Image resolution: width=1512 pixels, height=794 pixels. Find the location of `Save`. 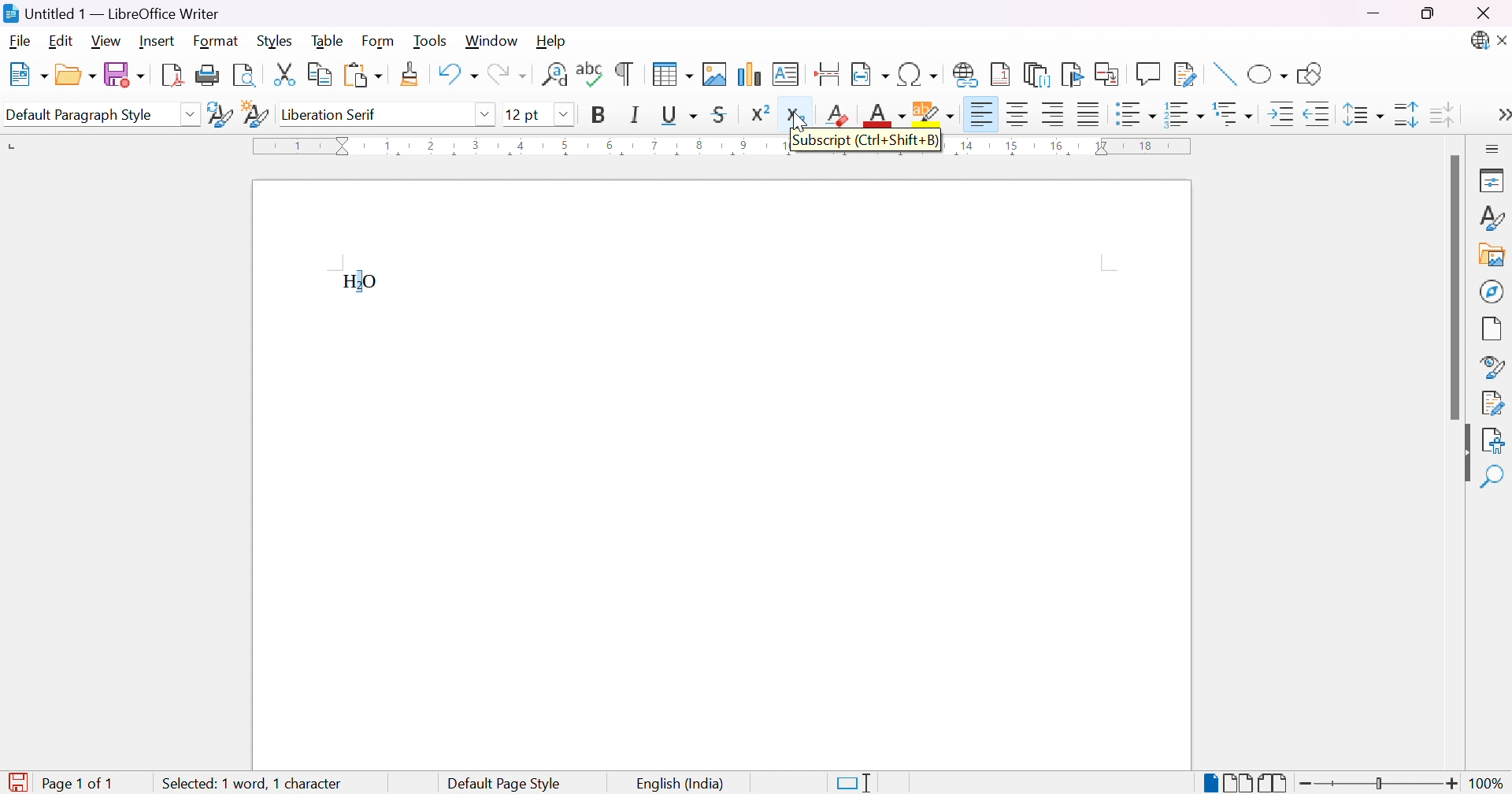

Save is located at coordinates (122, 73).